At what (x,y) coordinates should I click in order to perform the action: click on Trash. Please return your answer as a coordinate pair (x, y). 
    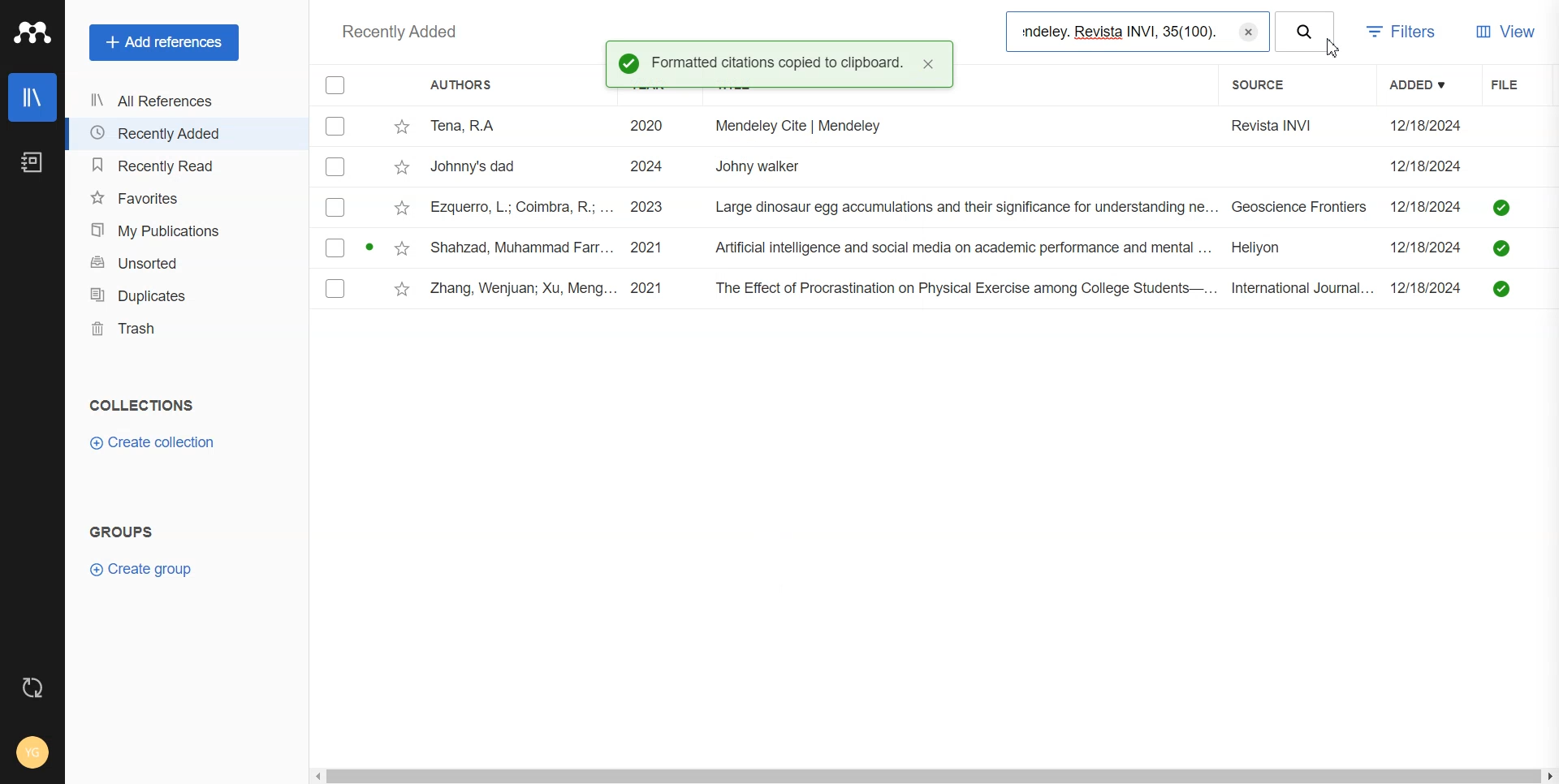
    Looking at the image, I should click on (188, 328).